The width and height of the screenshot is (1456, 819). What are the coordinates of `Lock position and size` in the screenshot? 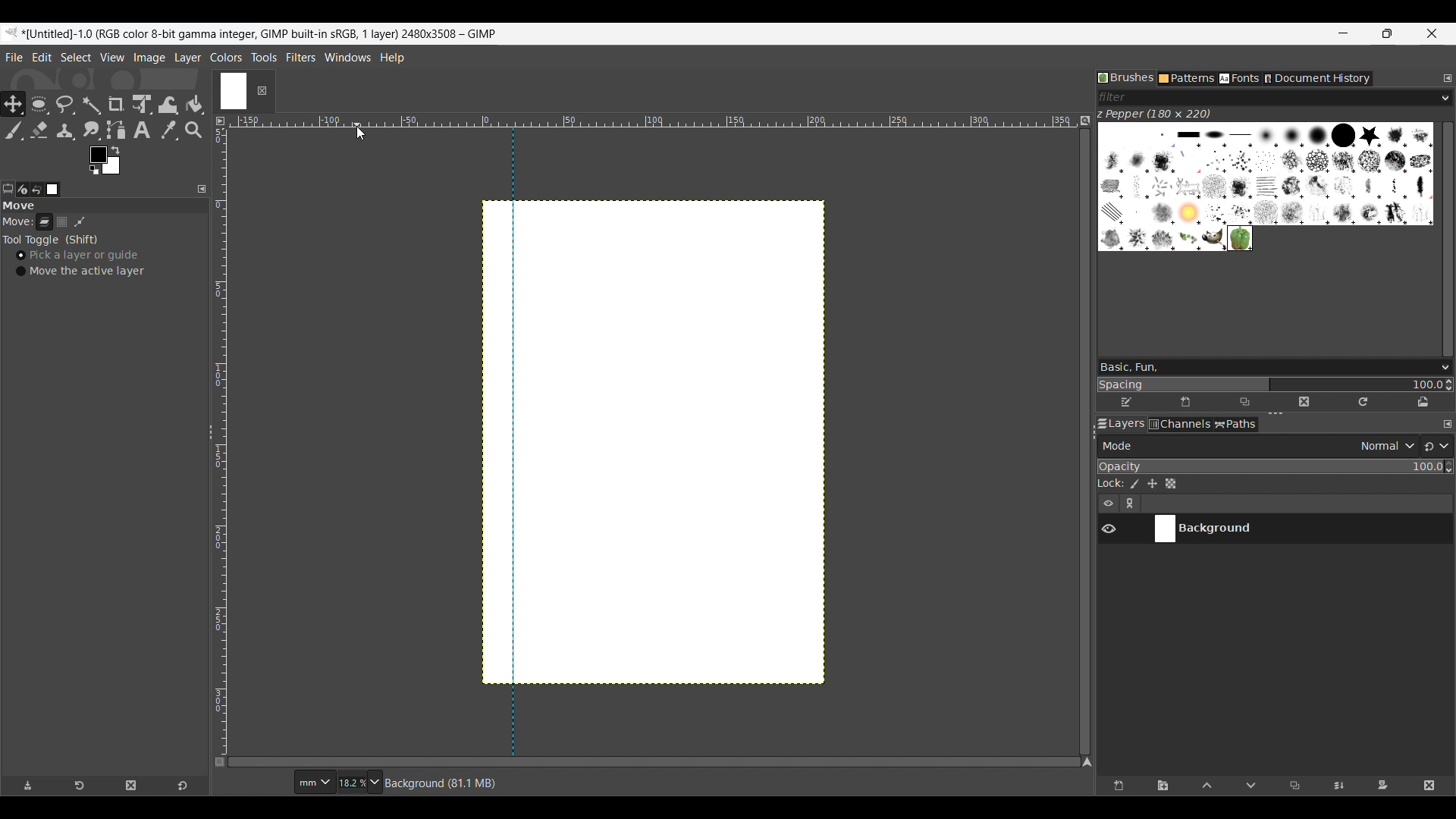 It's located at (1152, 484).